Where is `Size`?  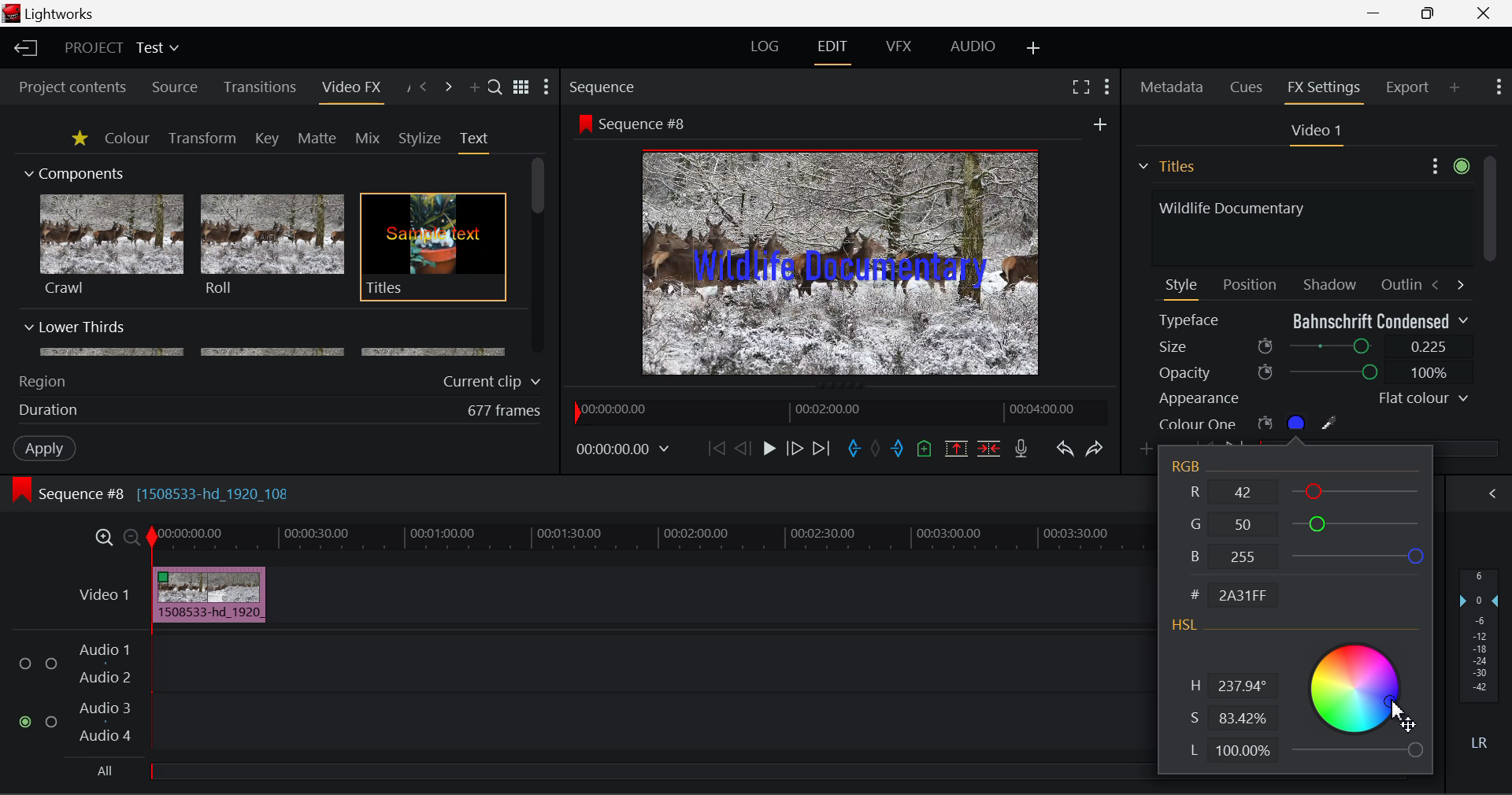 Size is located at coordinates (1315, 345).